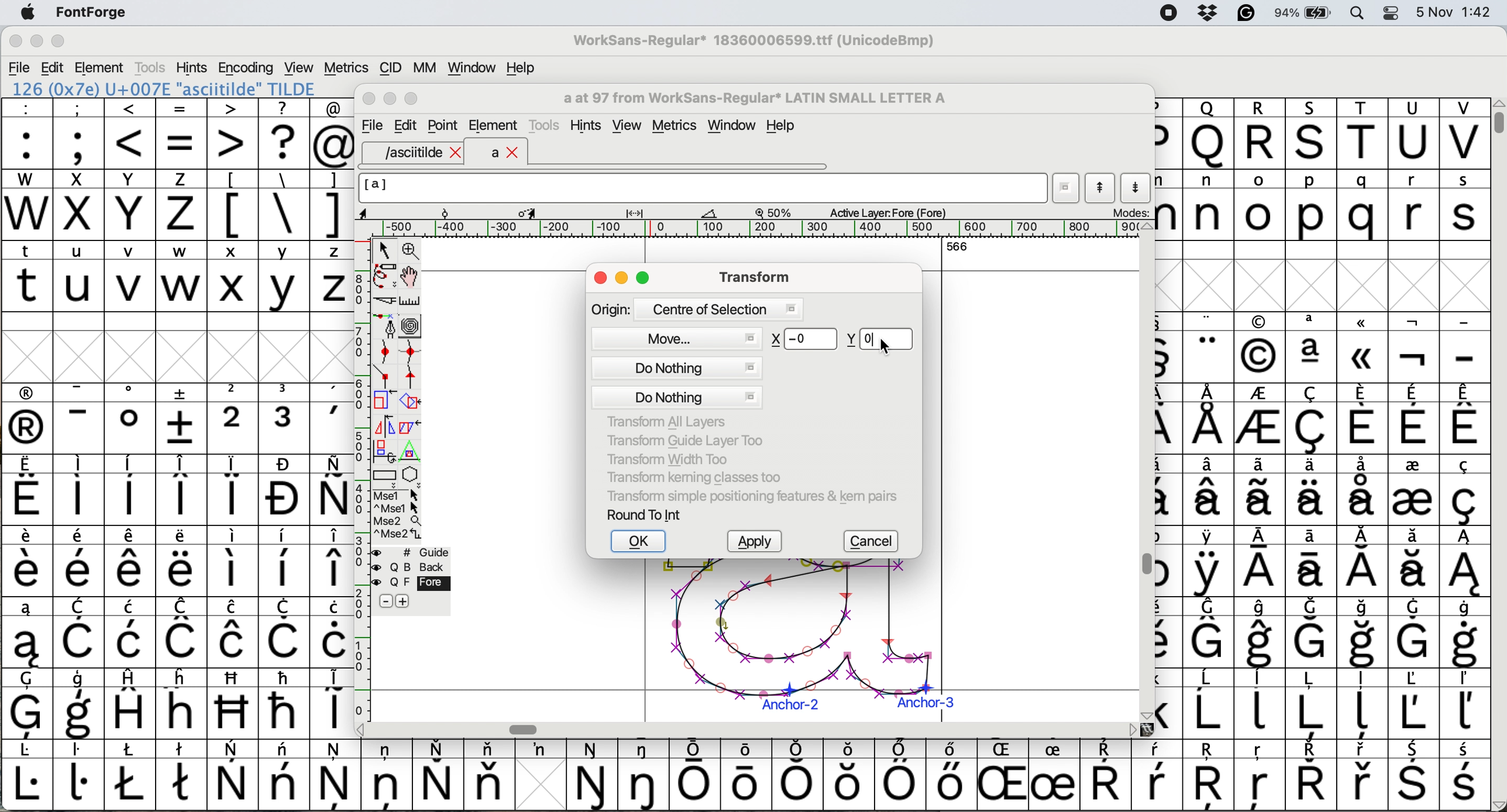 The height and width of the screenshot is (812, 1507). Describe the element at coordinates (1463, 704) in the screenshot. I see `symbol` at that location.